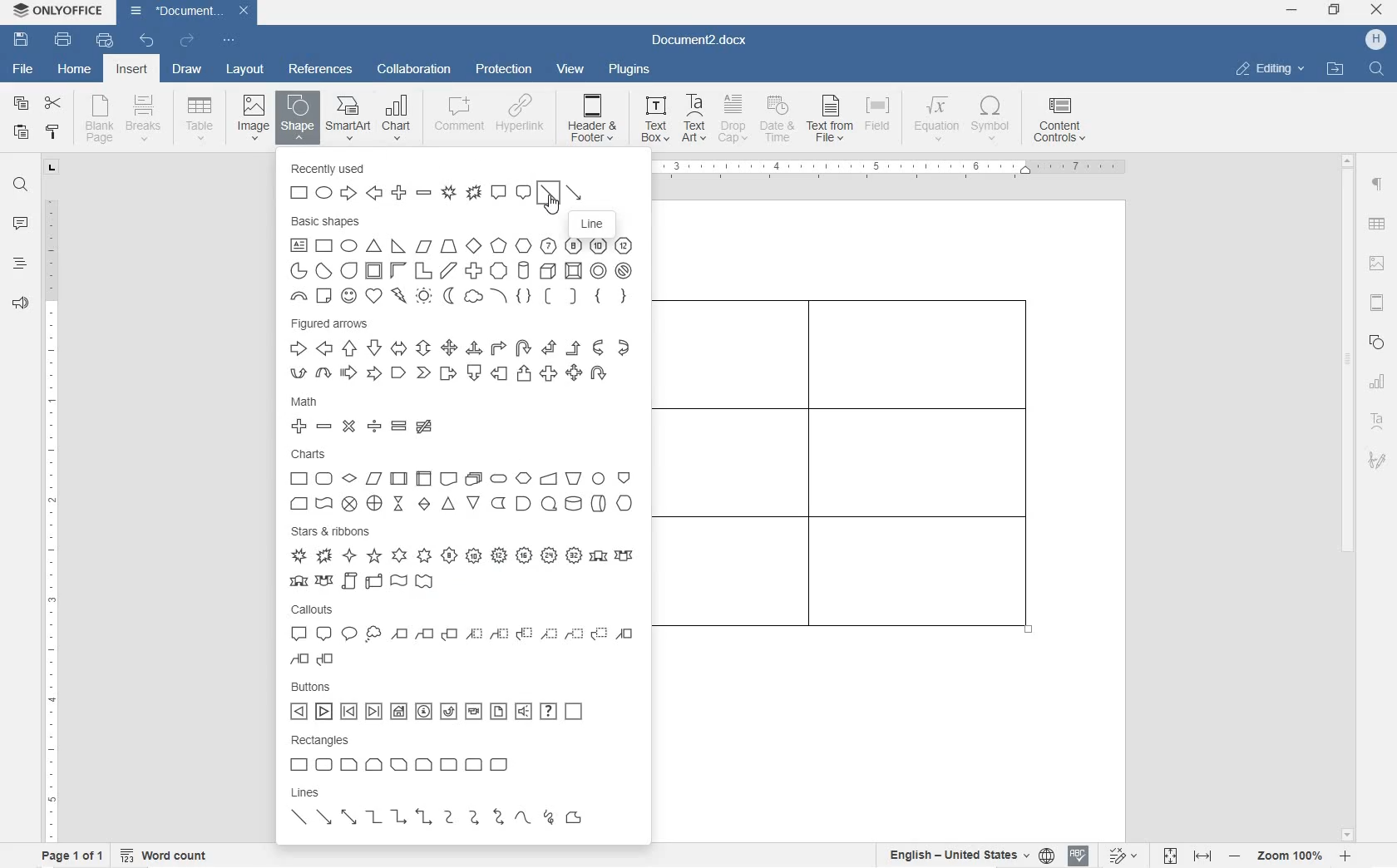 This screenshot has height=868, width=1397. I want to click on TEXT ART, so click(692, 120).